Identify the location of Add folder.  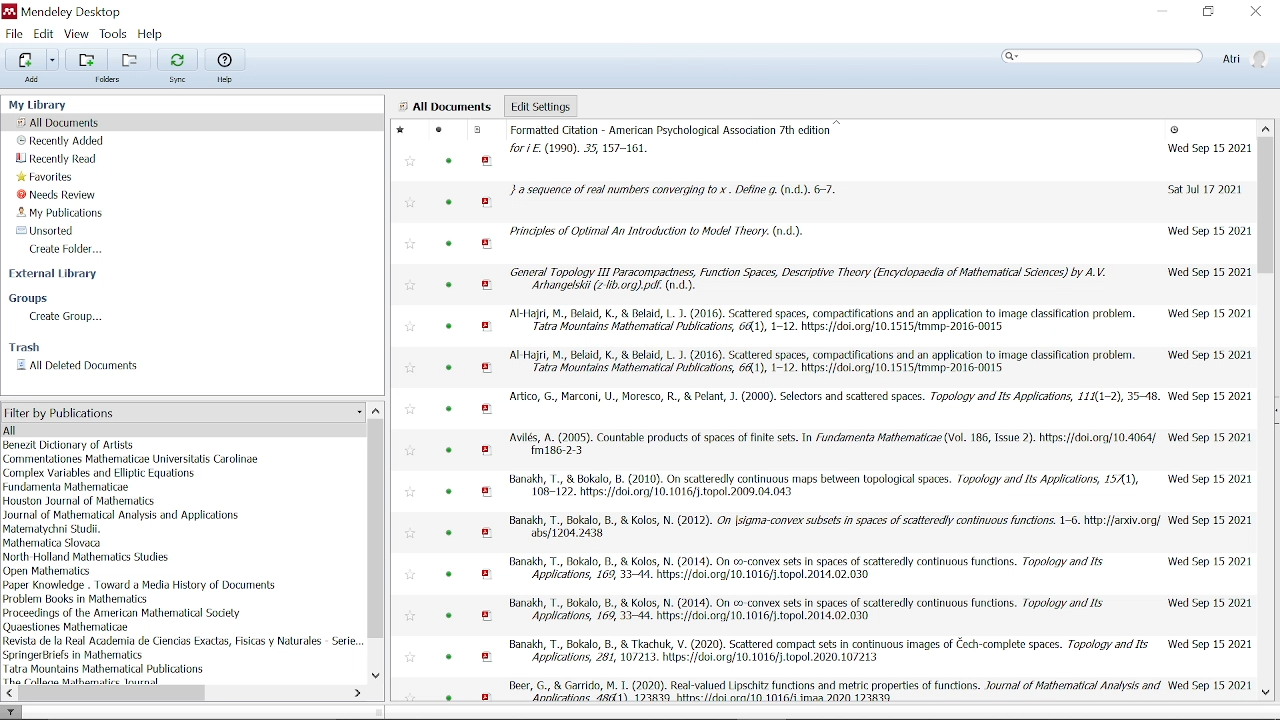
(132, 59).